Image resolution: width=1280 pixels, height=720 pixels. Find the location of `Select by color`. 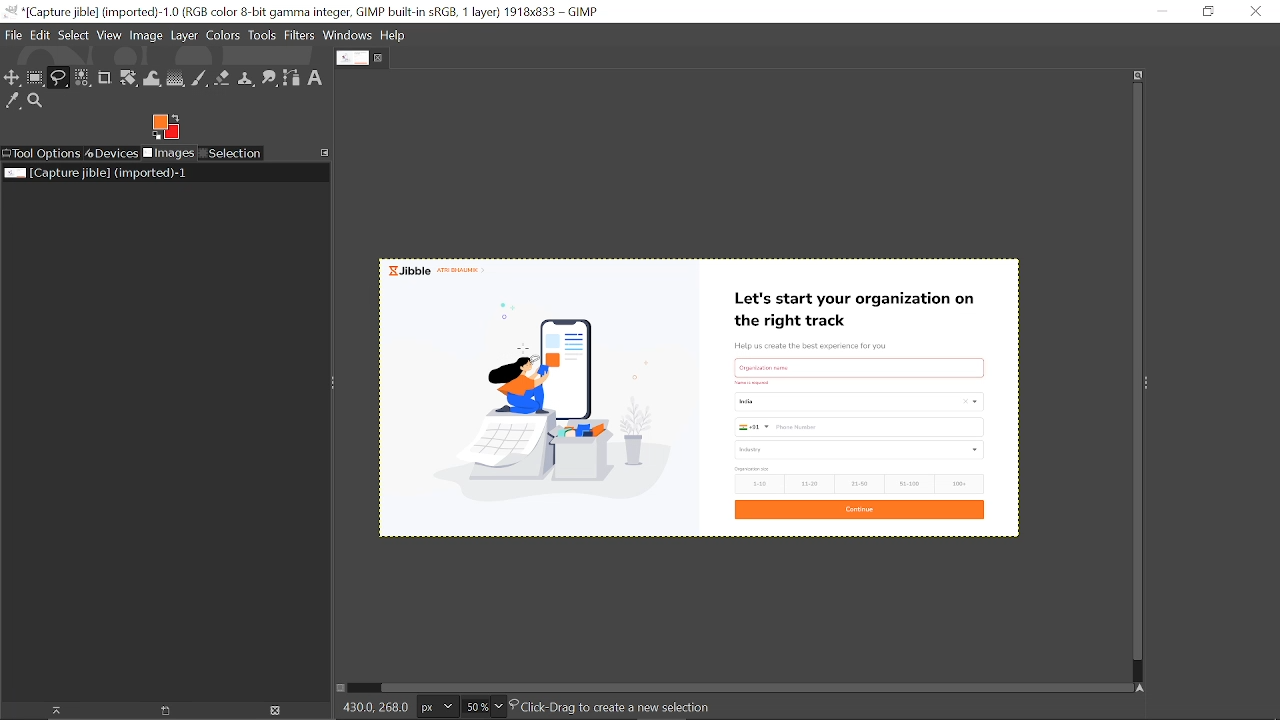

Select by color is located at coordinates (82, 79).